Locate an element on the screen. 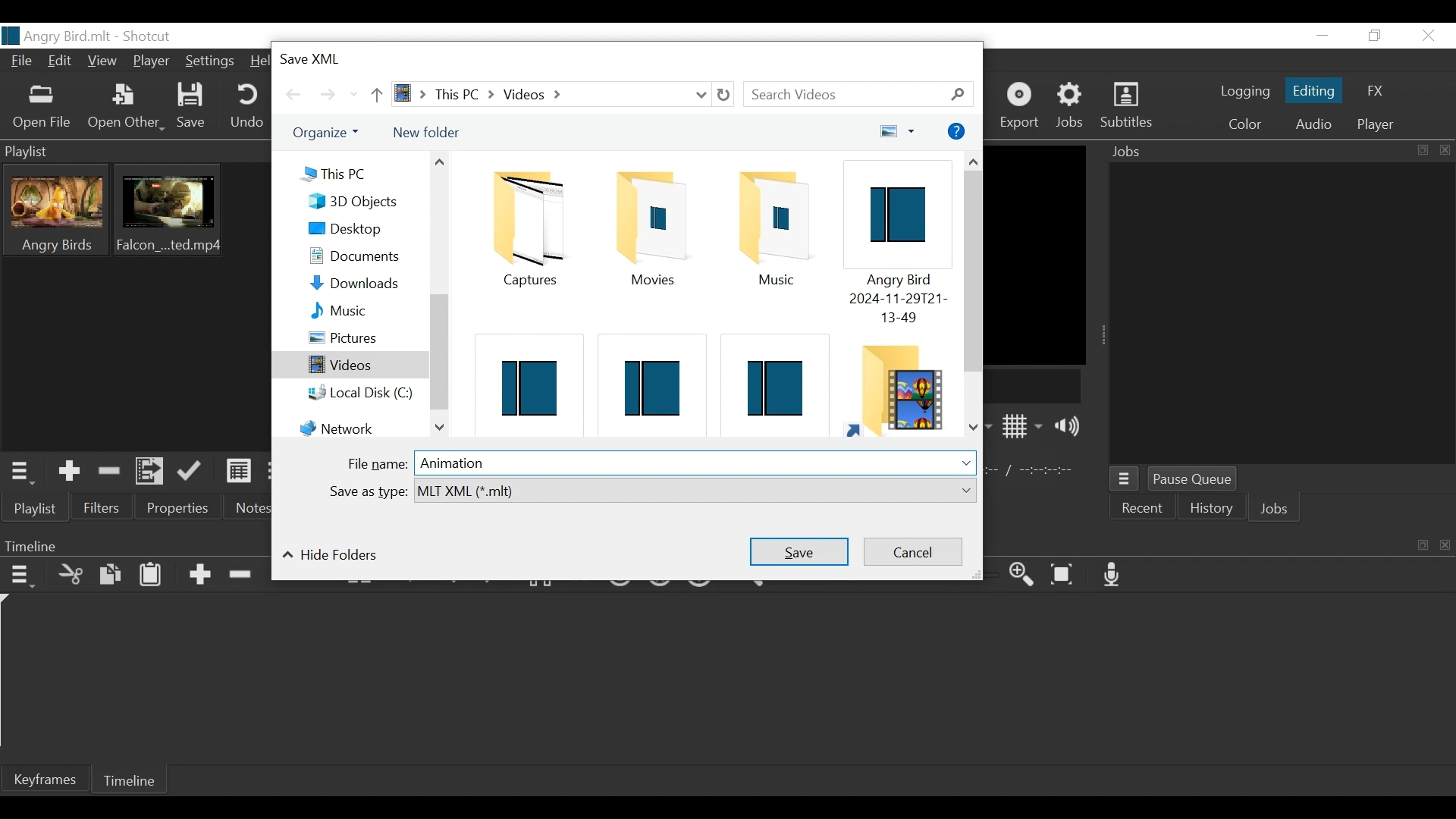 The image size is (1456, 819). Zoom timeline to fit is located at coordinates (1067, 575).